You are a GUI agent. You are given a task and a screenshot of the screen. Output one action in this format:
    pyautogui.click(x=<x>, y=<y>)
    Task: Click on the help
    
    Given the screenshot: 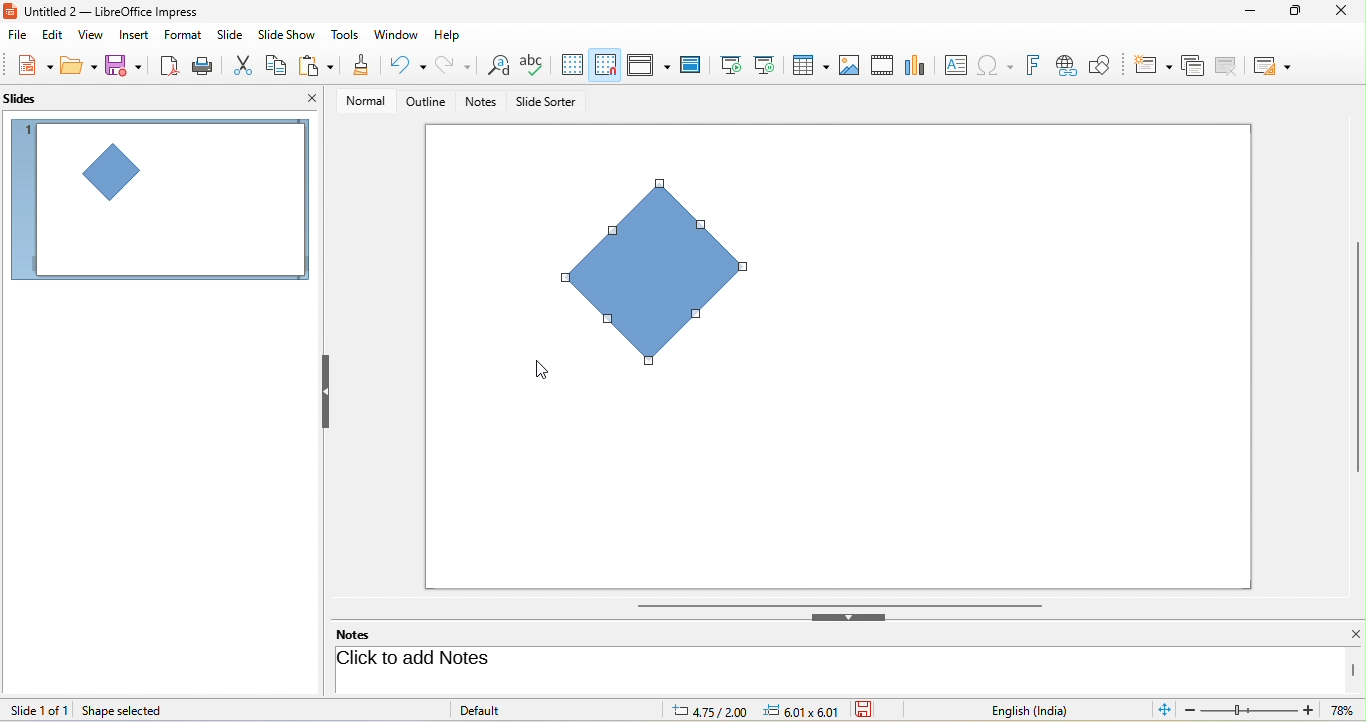 What is the action you would take?
    pyautogui.click(x=449, y=33)
    